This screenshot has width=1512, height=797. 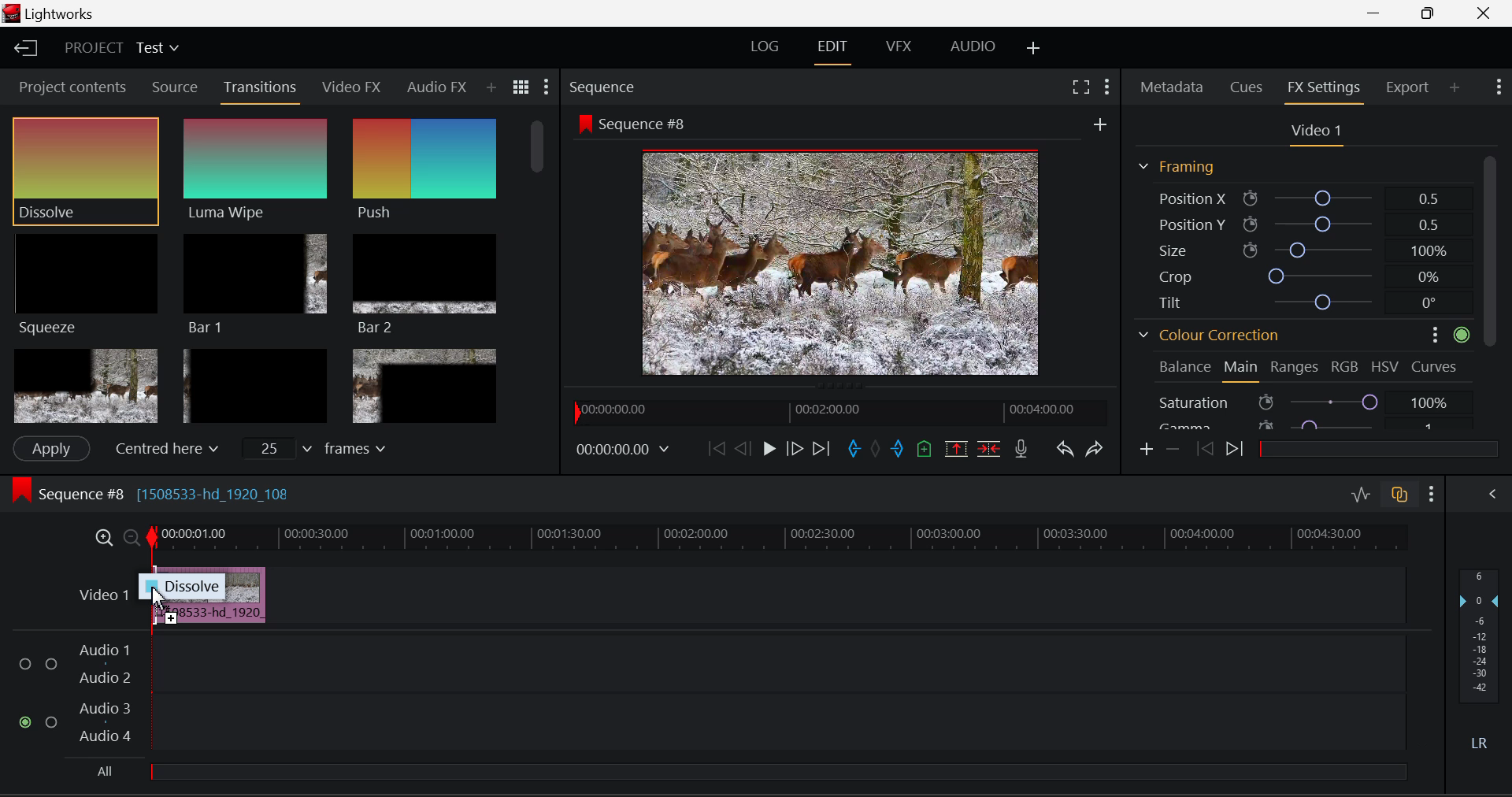 What do you see at coordinates (821, 450) in the screenshot?
I see `To End` at bounding box center [821, 450].